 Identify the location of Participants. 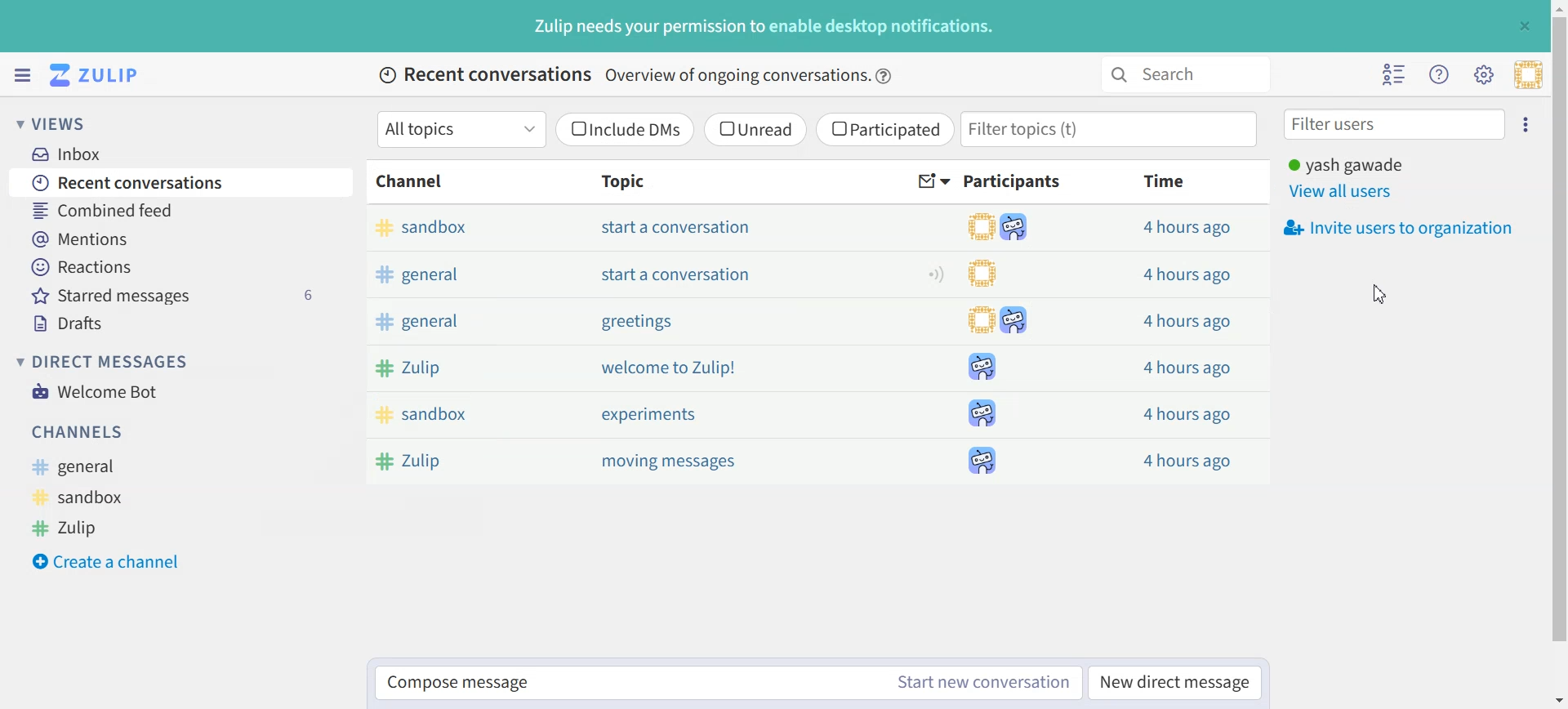
(1015, 181).